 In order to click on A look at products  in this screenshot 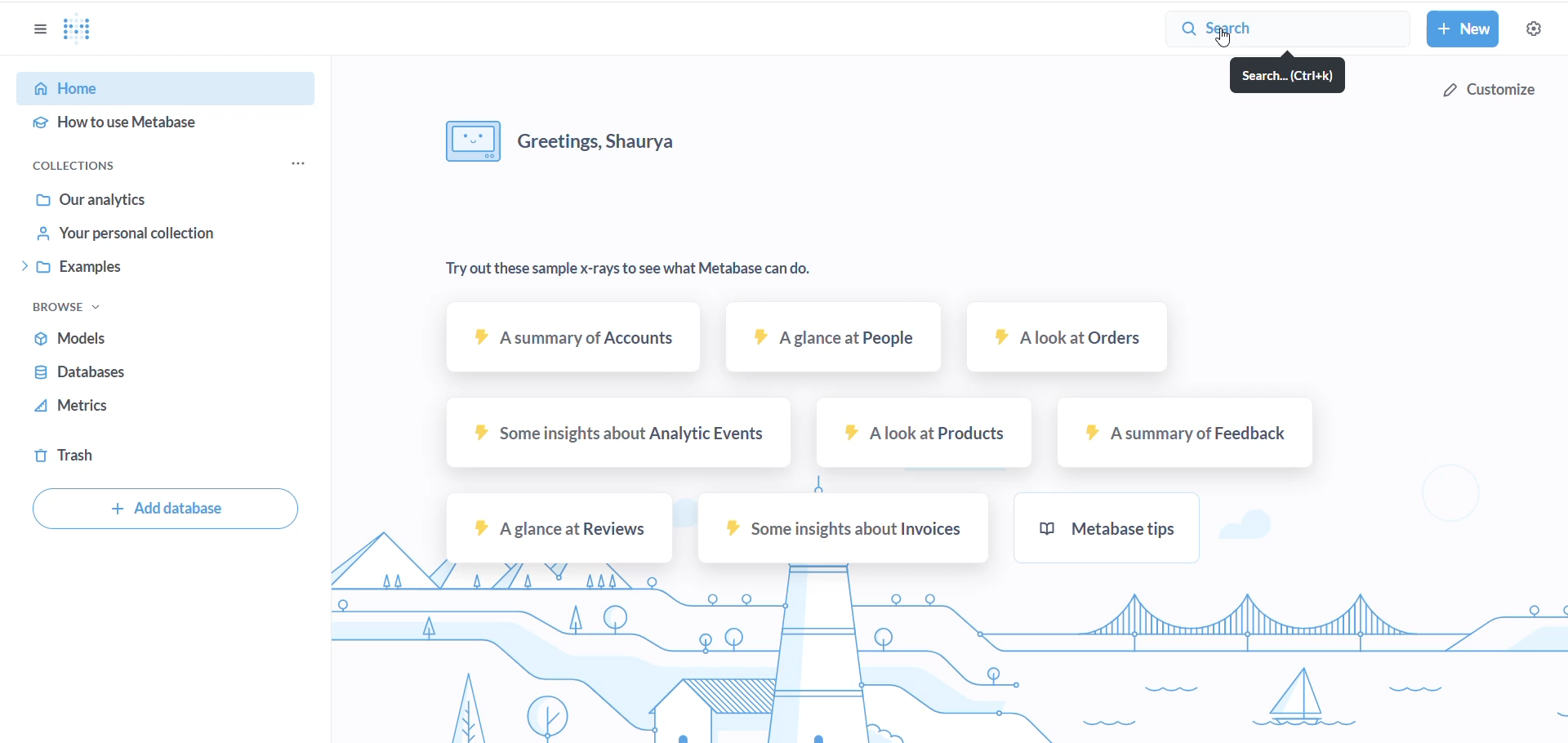, I will do `click(924, 437)`.